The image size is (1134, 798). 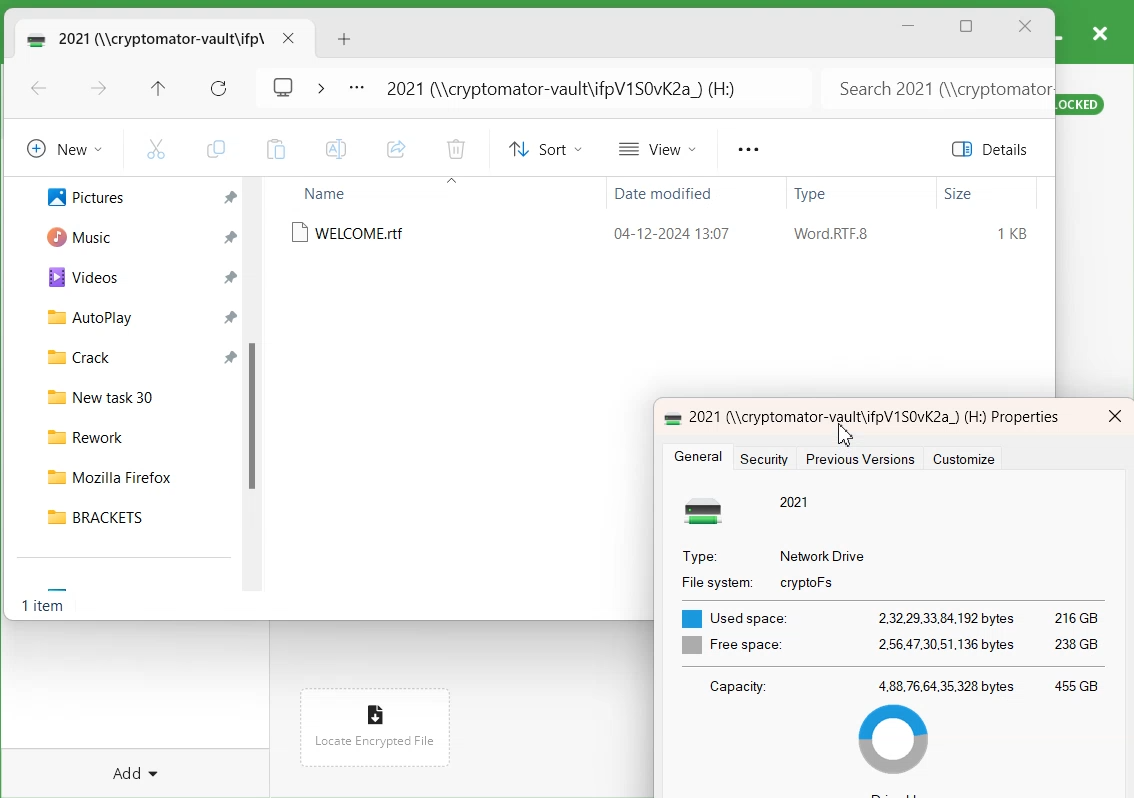 I want to click on Pictures, so click(x=75, y=195).